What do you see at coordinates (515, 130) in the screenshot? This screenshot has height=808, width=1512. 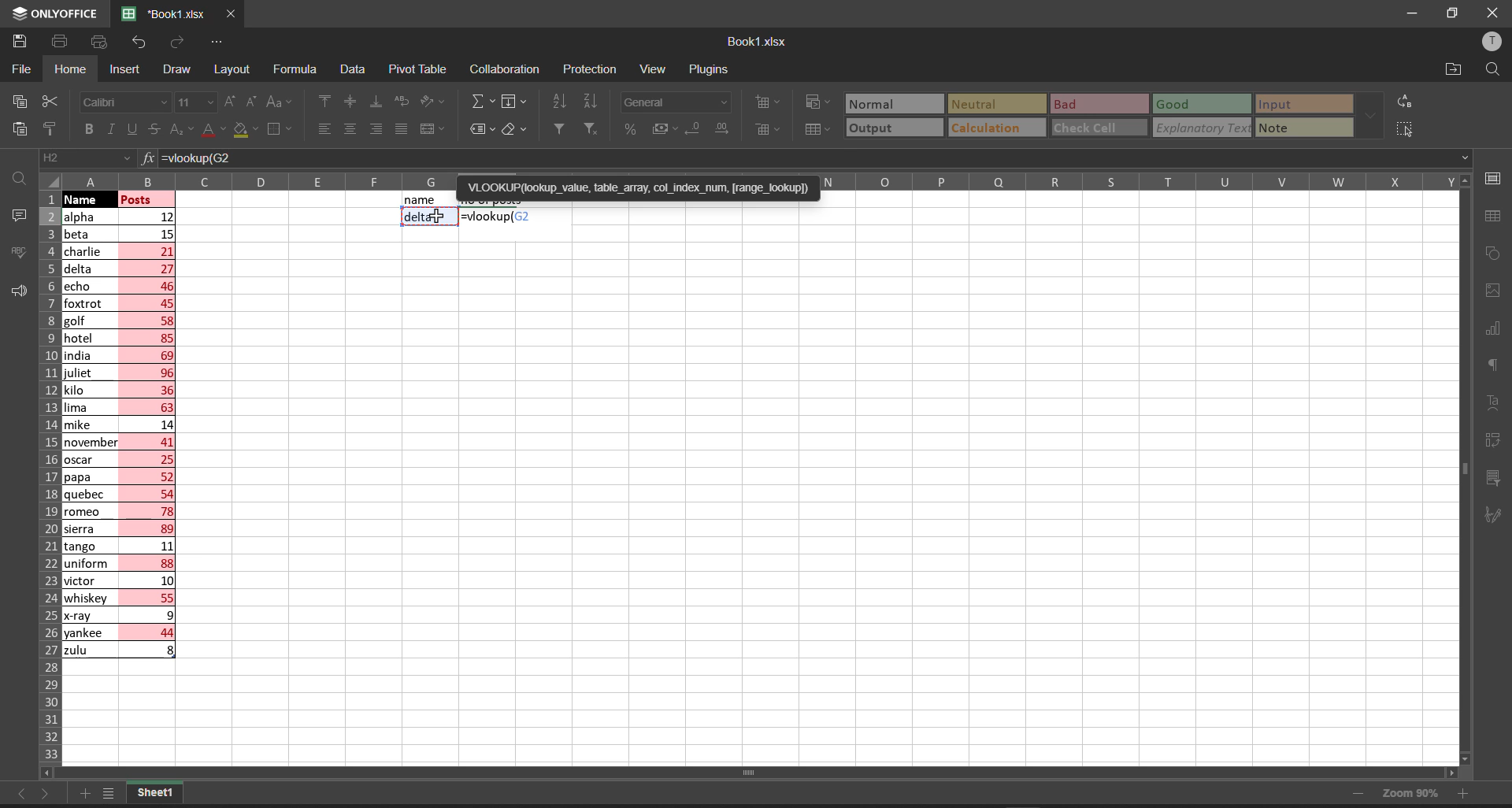 I see `clear` at bounding box center [515, 130].